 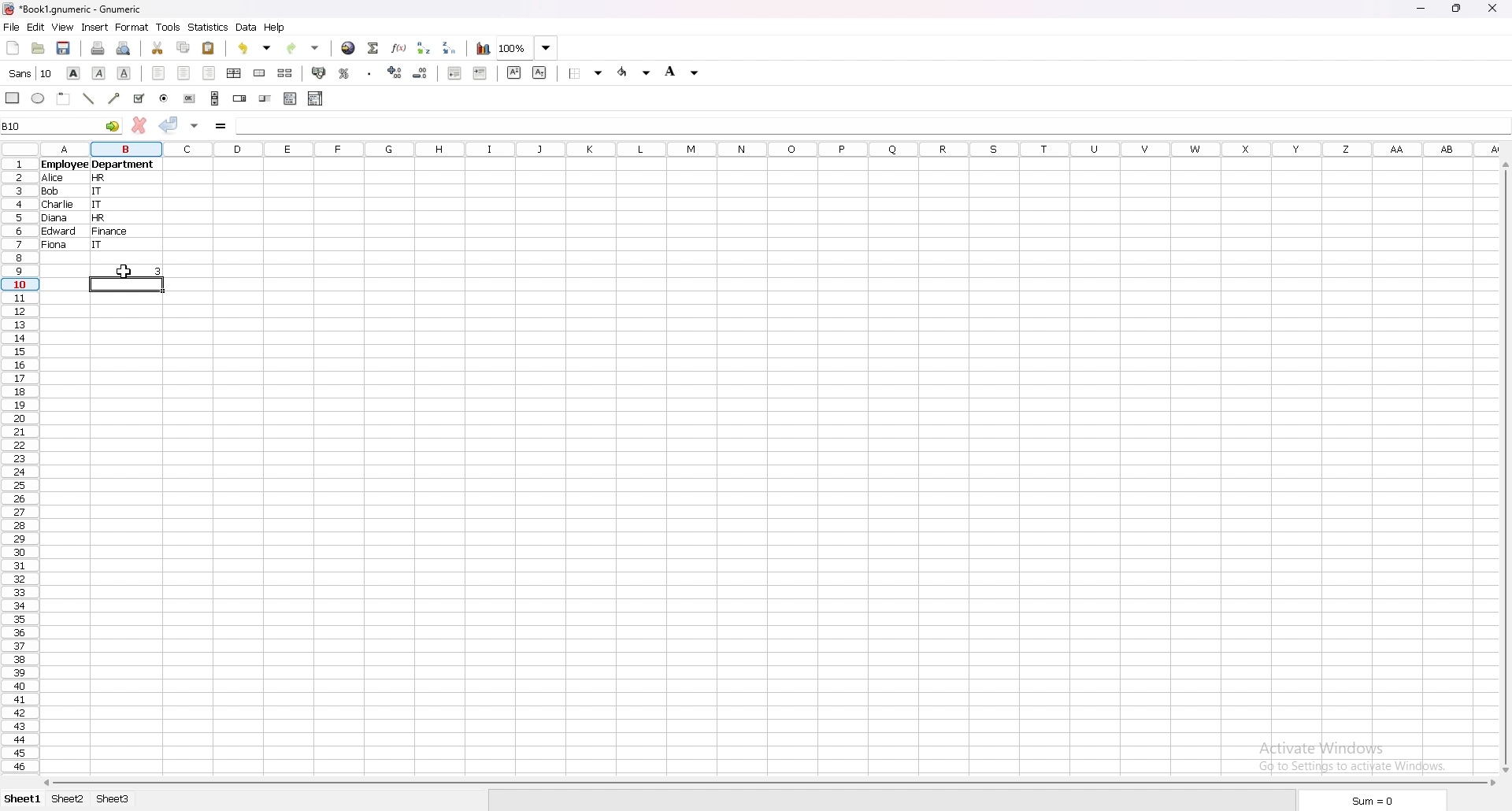 What do you see at coordinates (38, 98) in the screenshot?
I see `ellipse` at bounding box center [38, 98].